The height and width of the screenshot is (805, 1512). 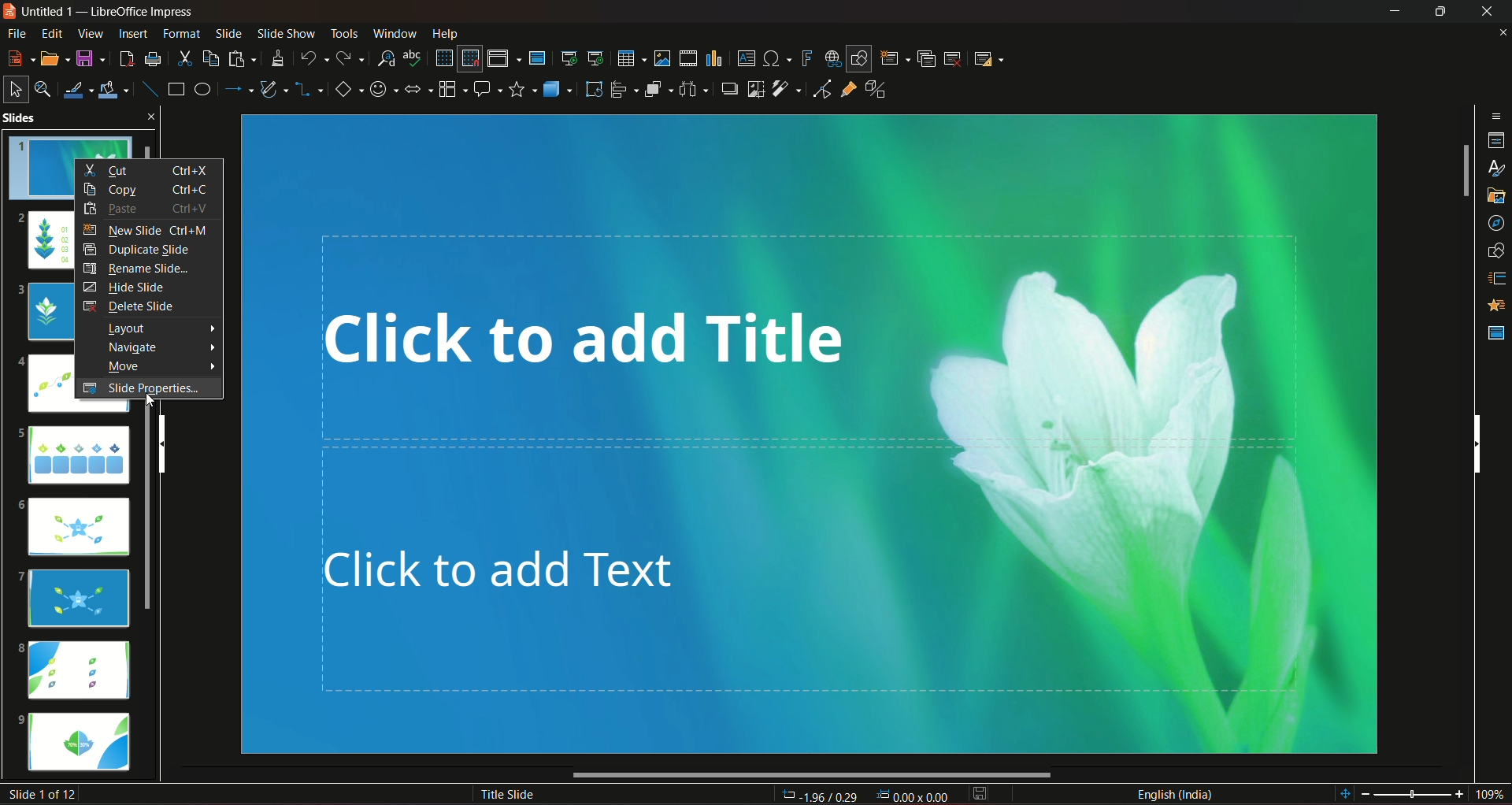 What do you see at coordinates (1437, 12) in the screenshot?
I see `hide` at bounding box center [1437, 12].